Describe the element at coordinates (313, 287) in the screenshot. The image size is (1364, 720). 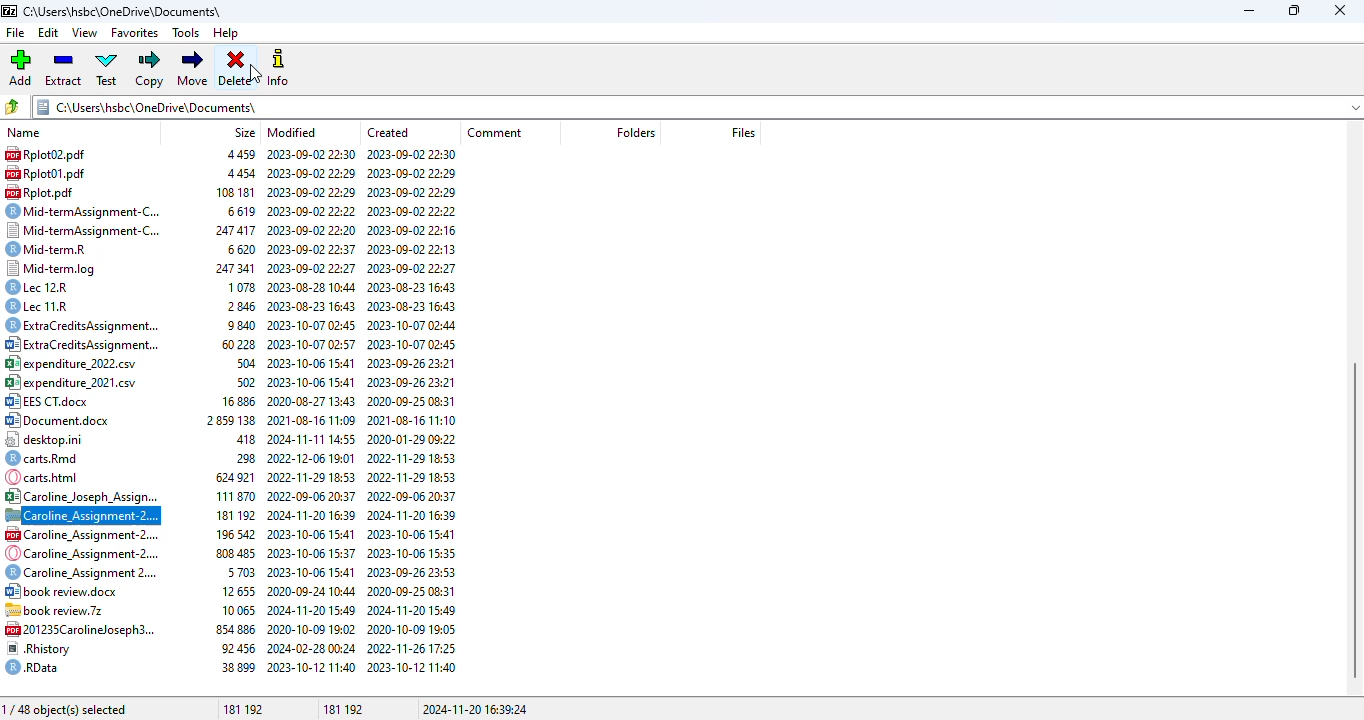
I see `2023-08-28 10:44` at that location.